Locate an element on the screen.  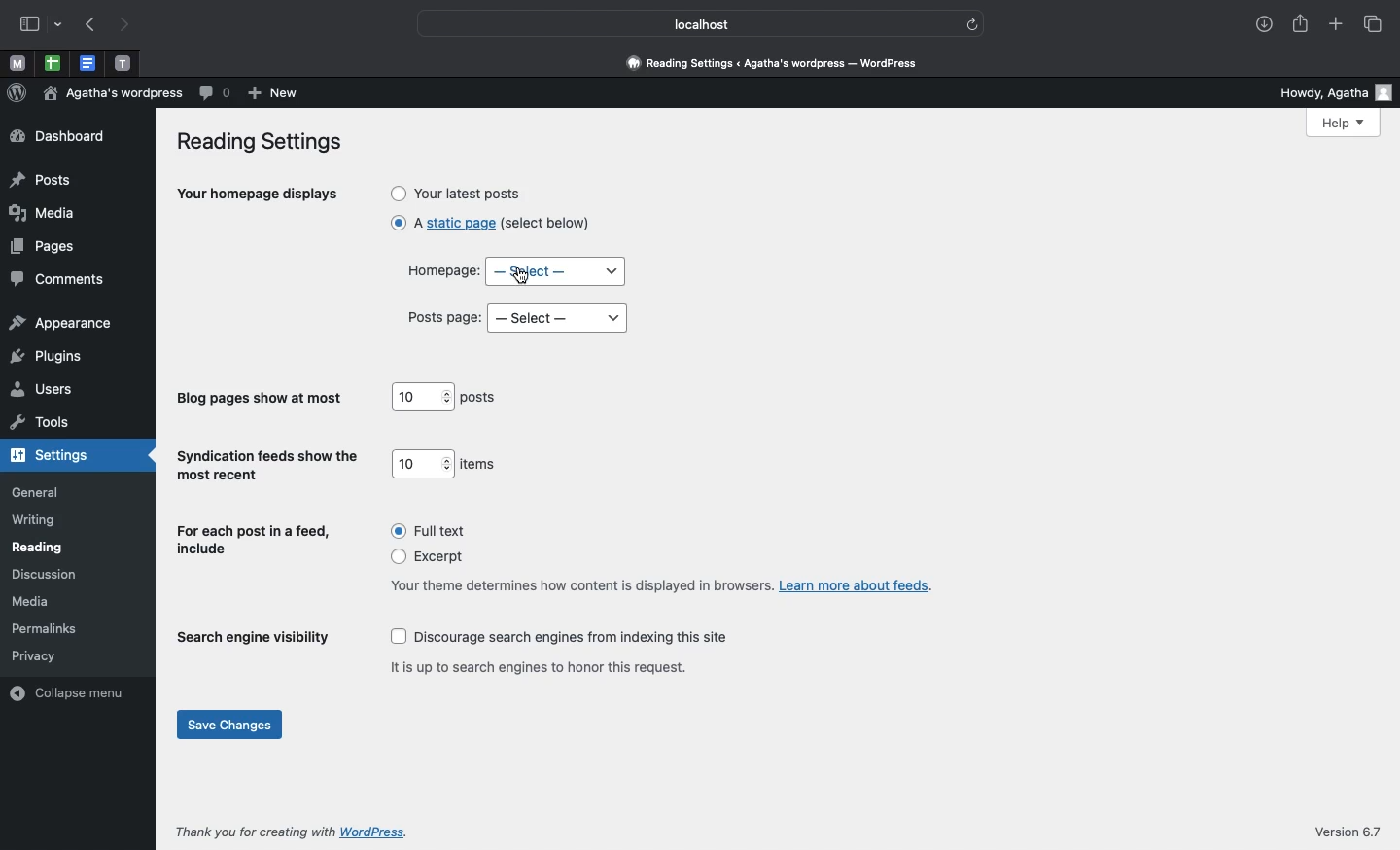
users is located at coordinates (43, 391).